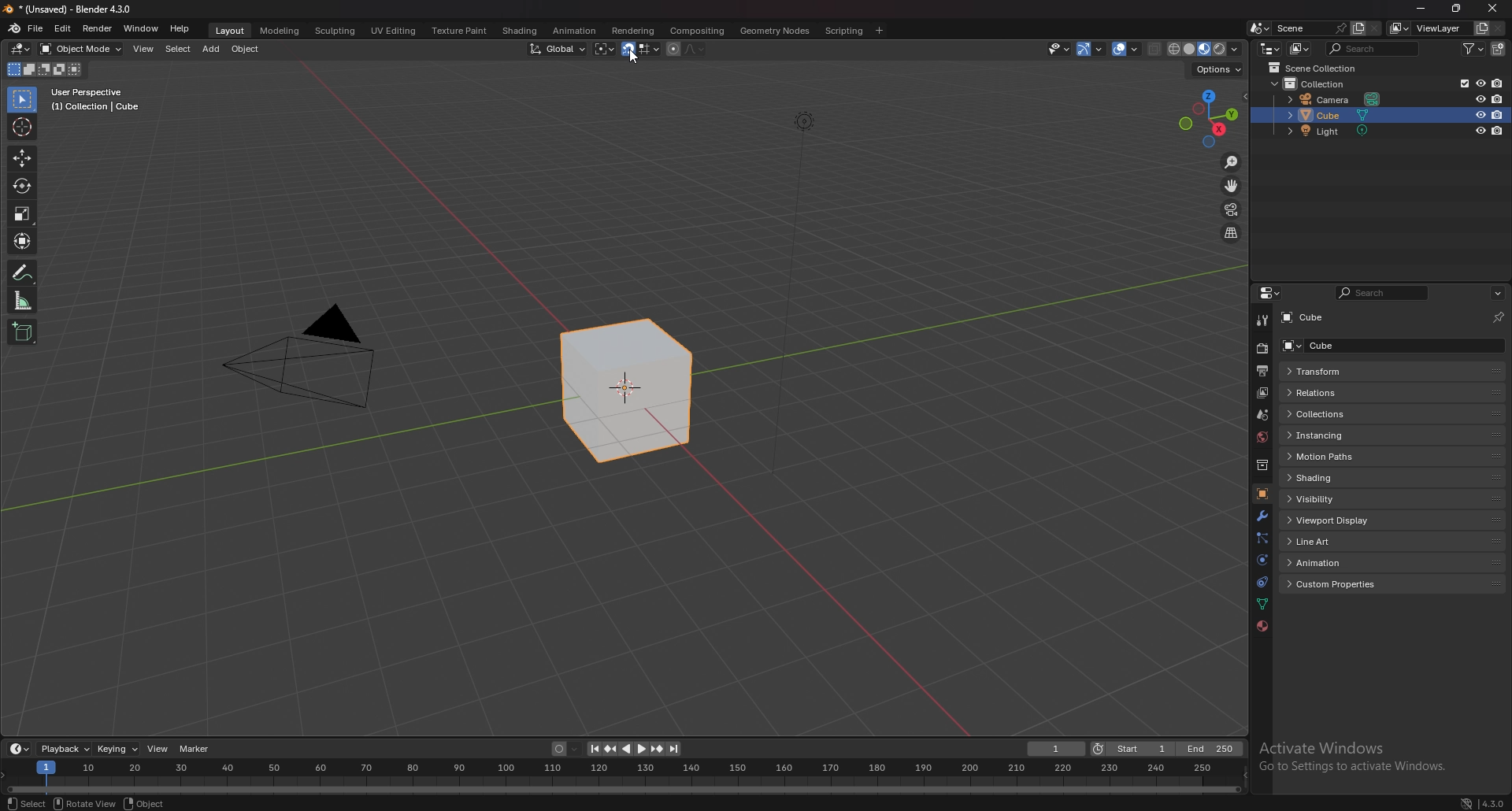 The height and width of the screenshot is (811, 1512). I want to click on info, so click(96, 99).